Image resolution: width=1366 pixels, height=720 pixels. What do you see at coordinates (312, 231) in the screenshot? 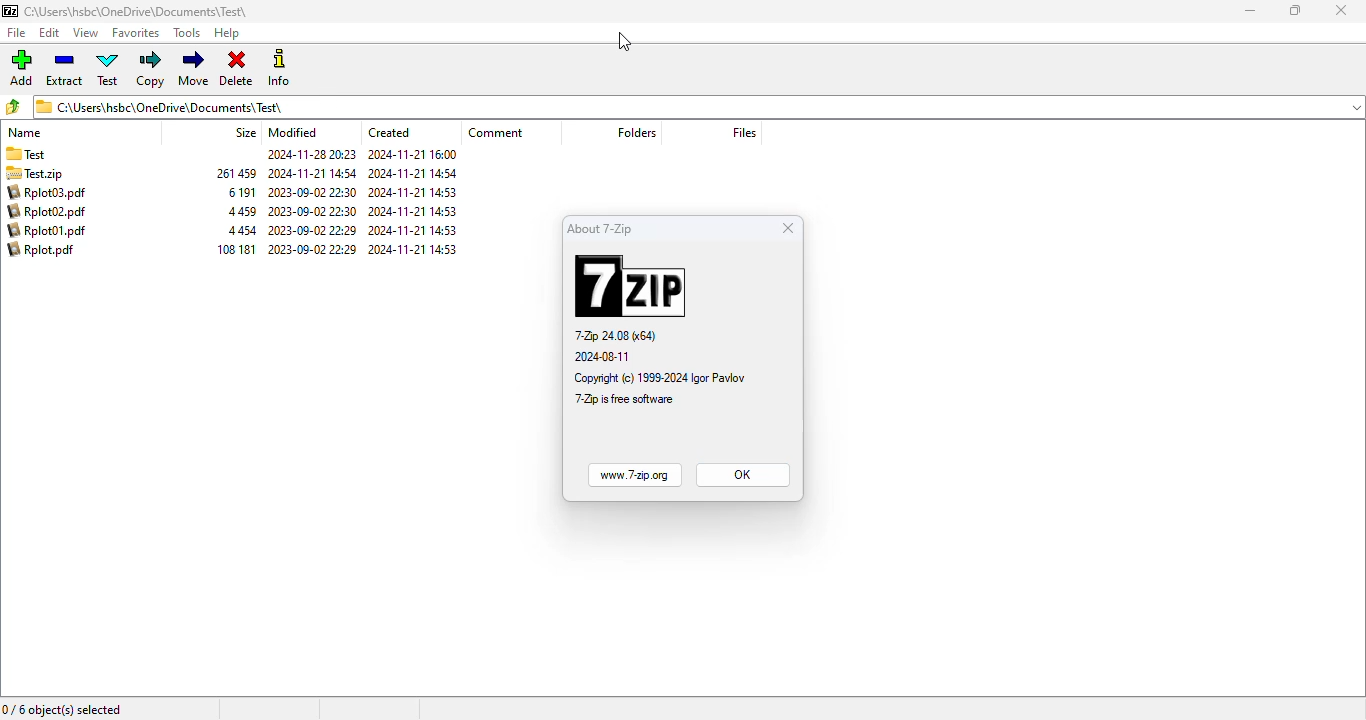
I see `2023-09-02 22:29` at bounding box center [312, 231].